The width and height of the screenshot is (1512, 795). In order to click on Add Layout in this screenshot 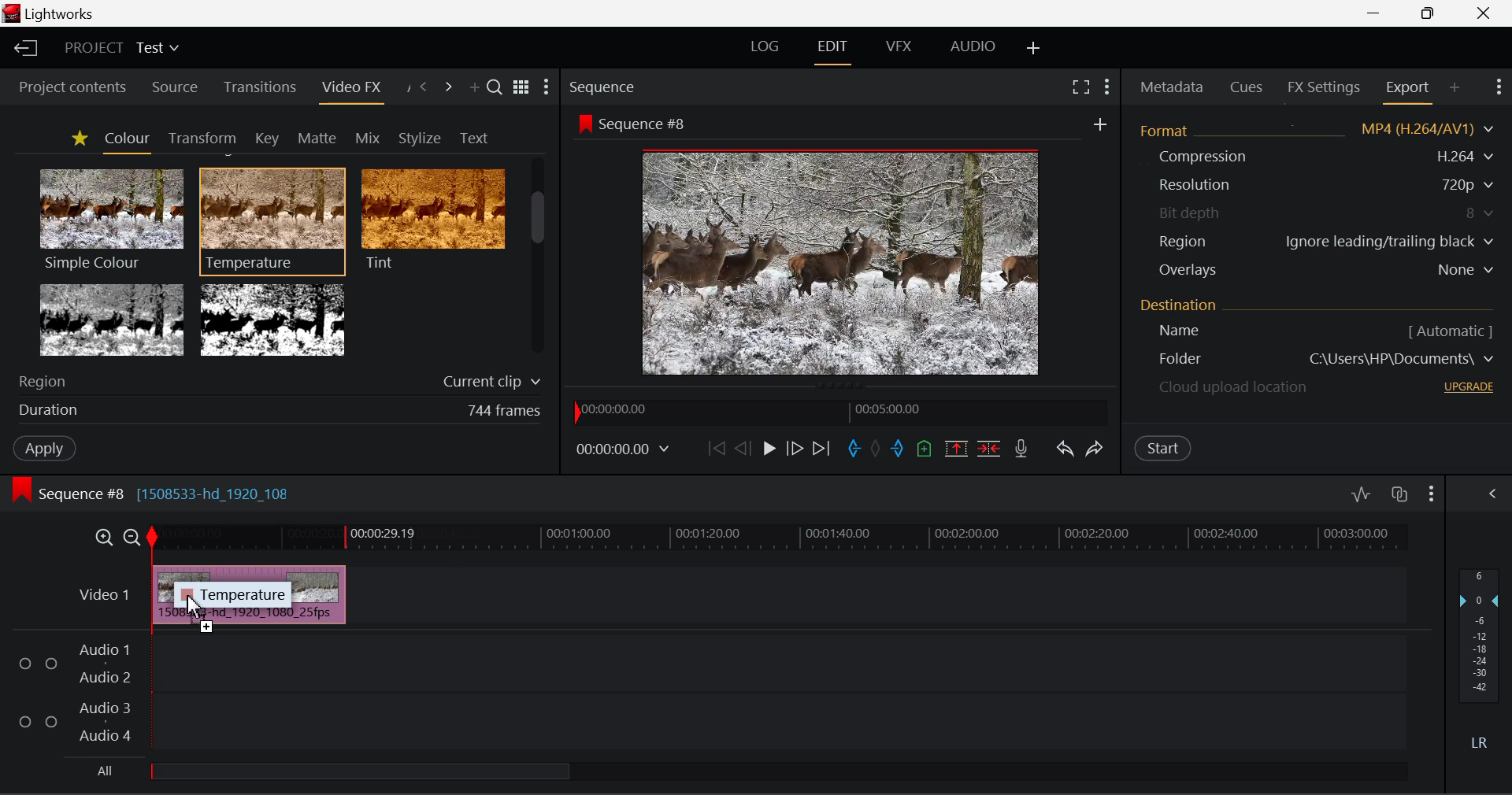, I will do `click(1033, 48)`.